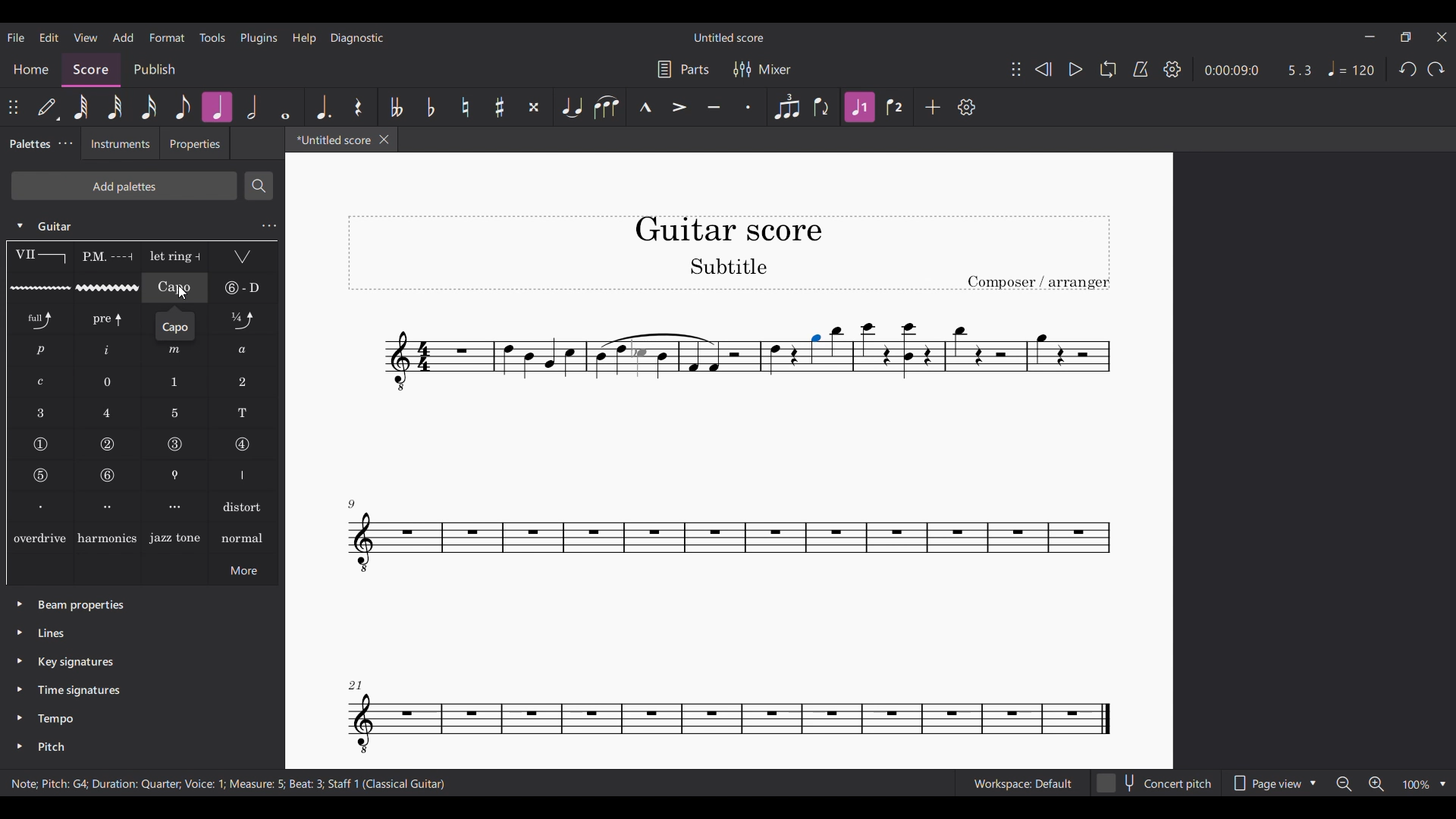  I want to click on Click to expand key signatures palette, so click(20, 661).